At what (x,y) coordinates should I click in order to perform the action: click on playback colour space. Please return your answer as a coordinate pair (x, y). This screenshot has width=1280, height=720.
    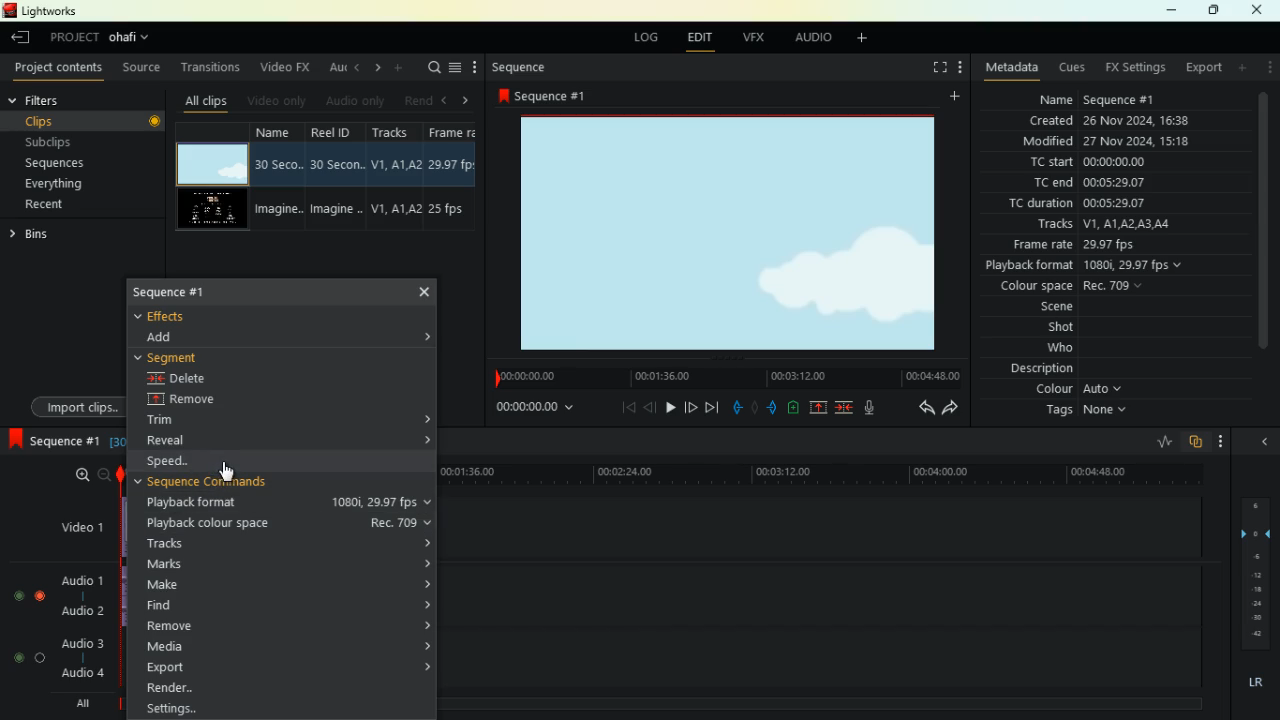
    Looking at the image, I should click on (286, 523).